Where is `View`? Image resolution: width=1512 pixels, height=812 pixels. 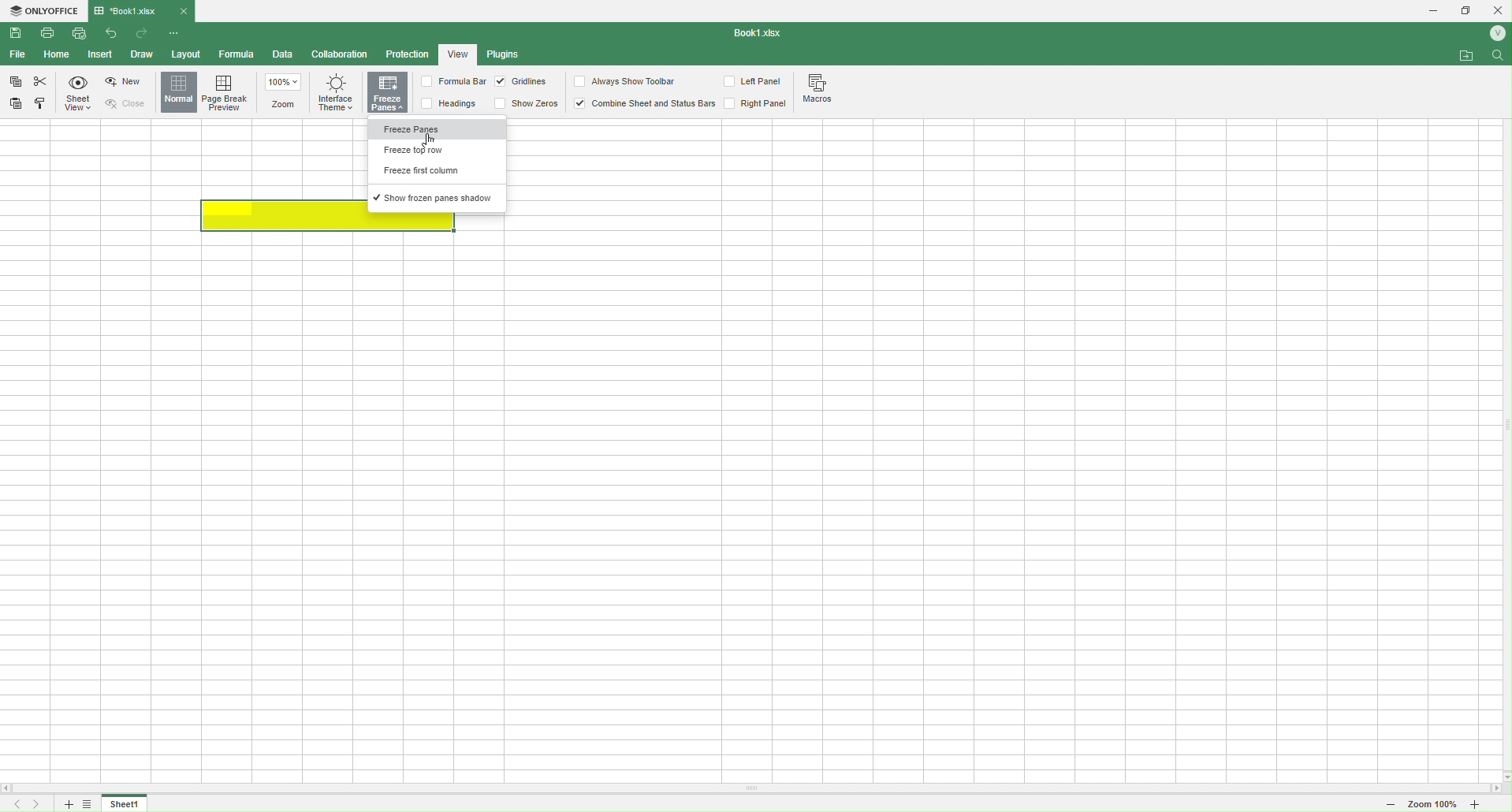
View is located at coordinates (458, 53).